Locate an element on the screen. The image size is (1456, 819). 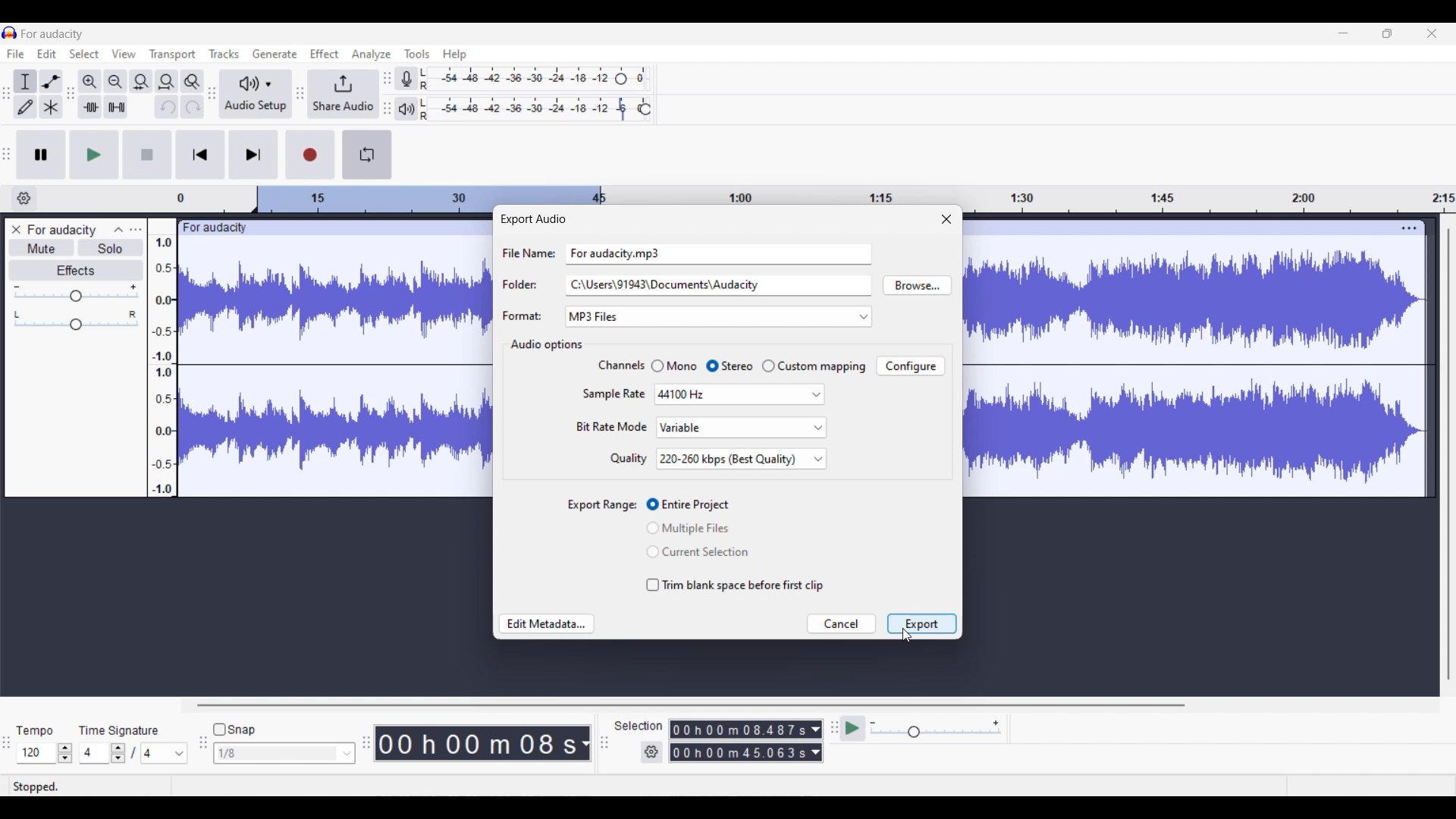
Options for Sample rate is located at coordinates (739, 395).